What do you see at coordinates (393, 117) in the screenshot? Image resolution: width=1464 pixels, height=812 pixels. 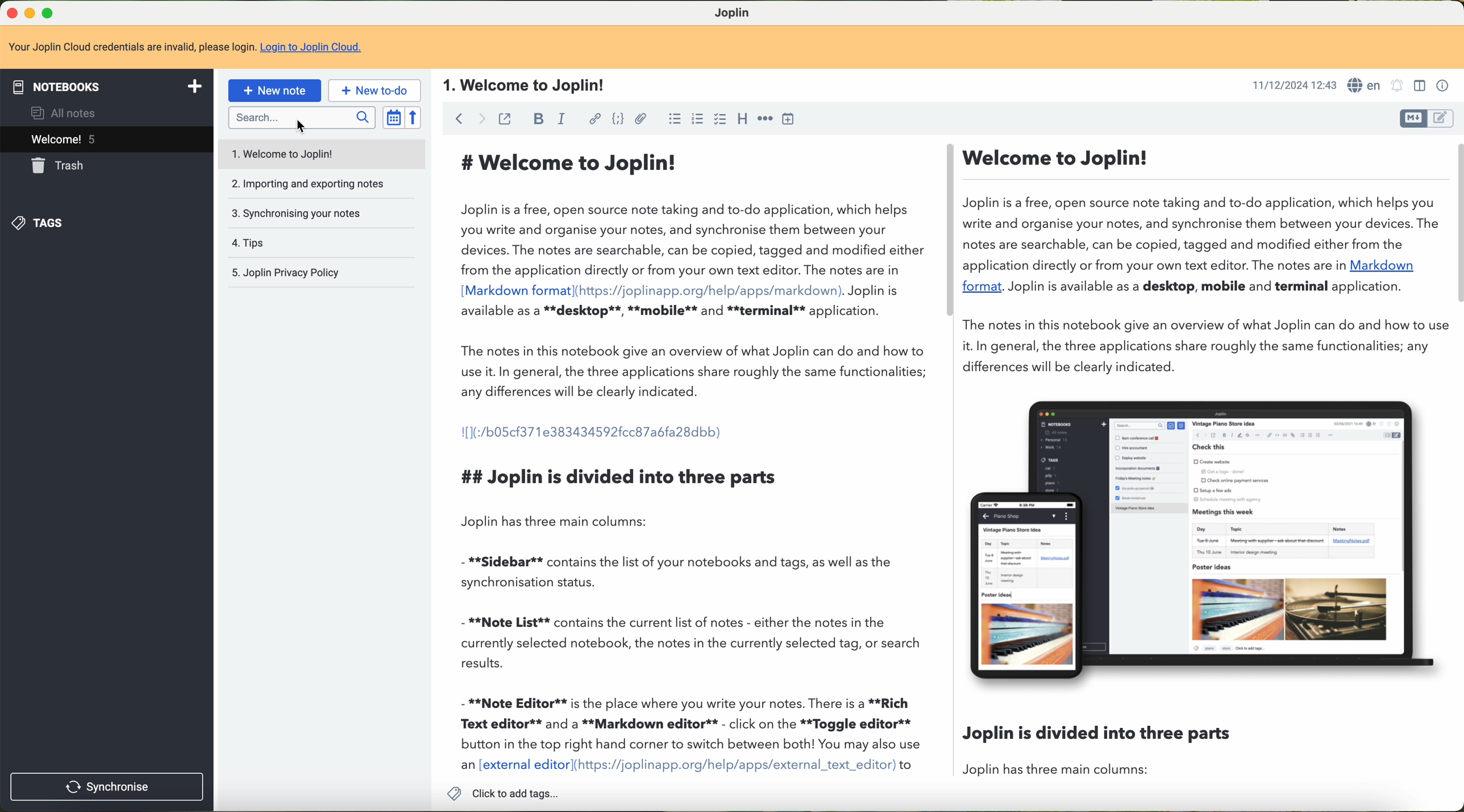 I see `toggle sort order field` at bounding box center [393, 117].